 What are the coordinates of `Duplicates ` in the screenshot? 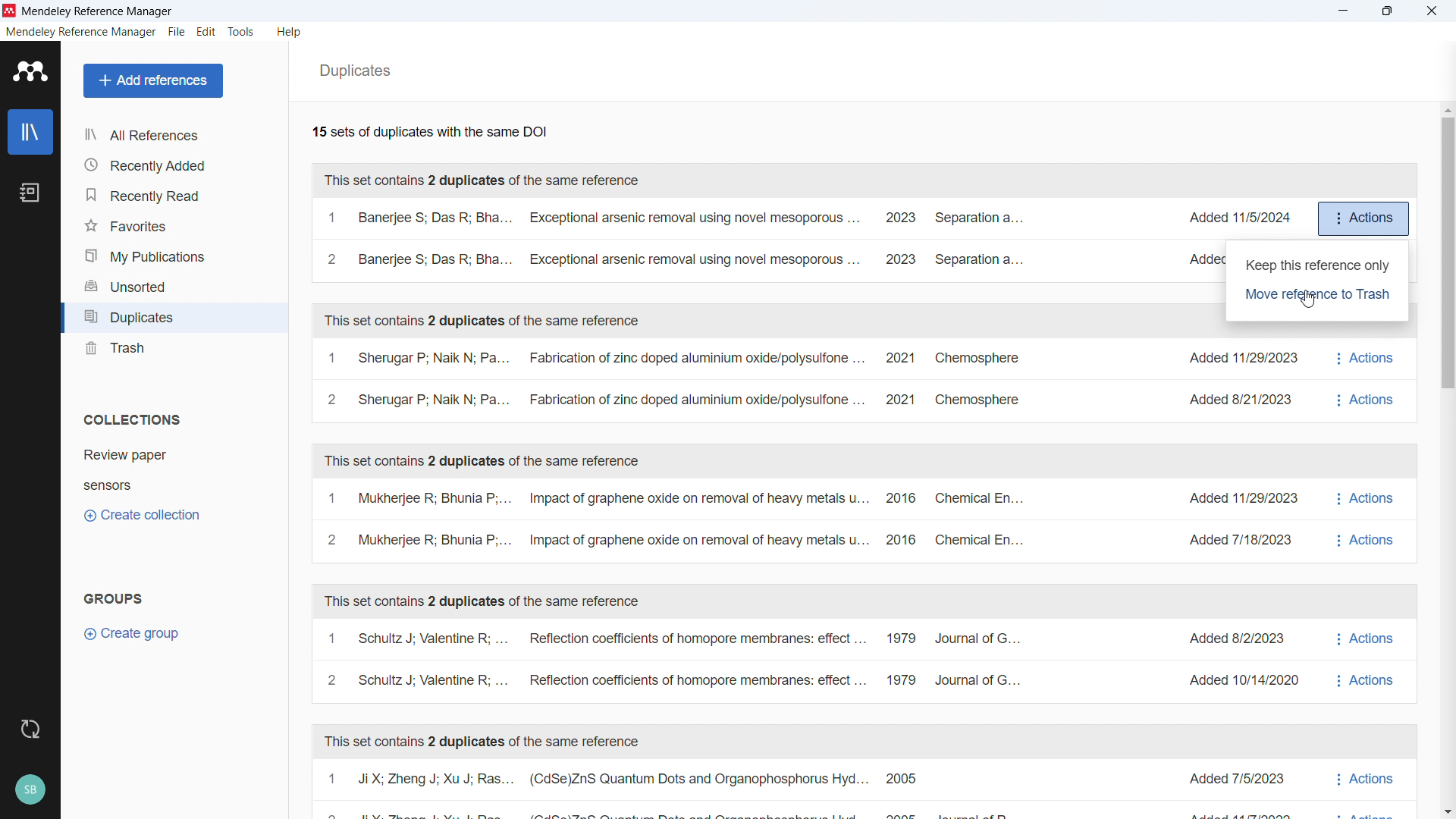 It's located at (354, 71).